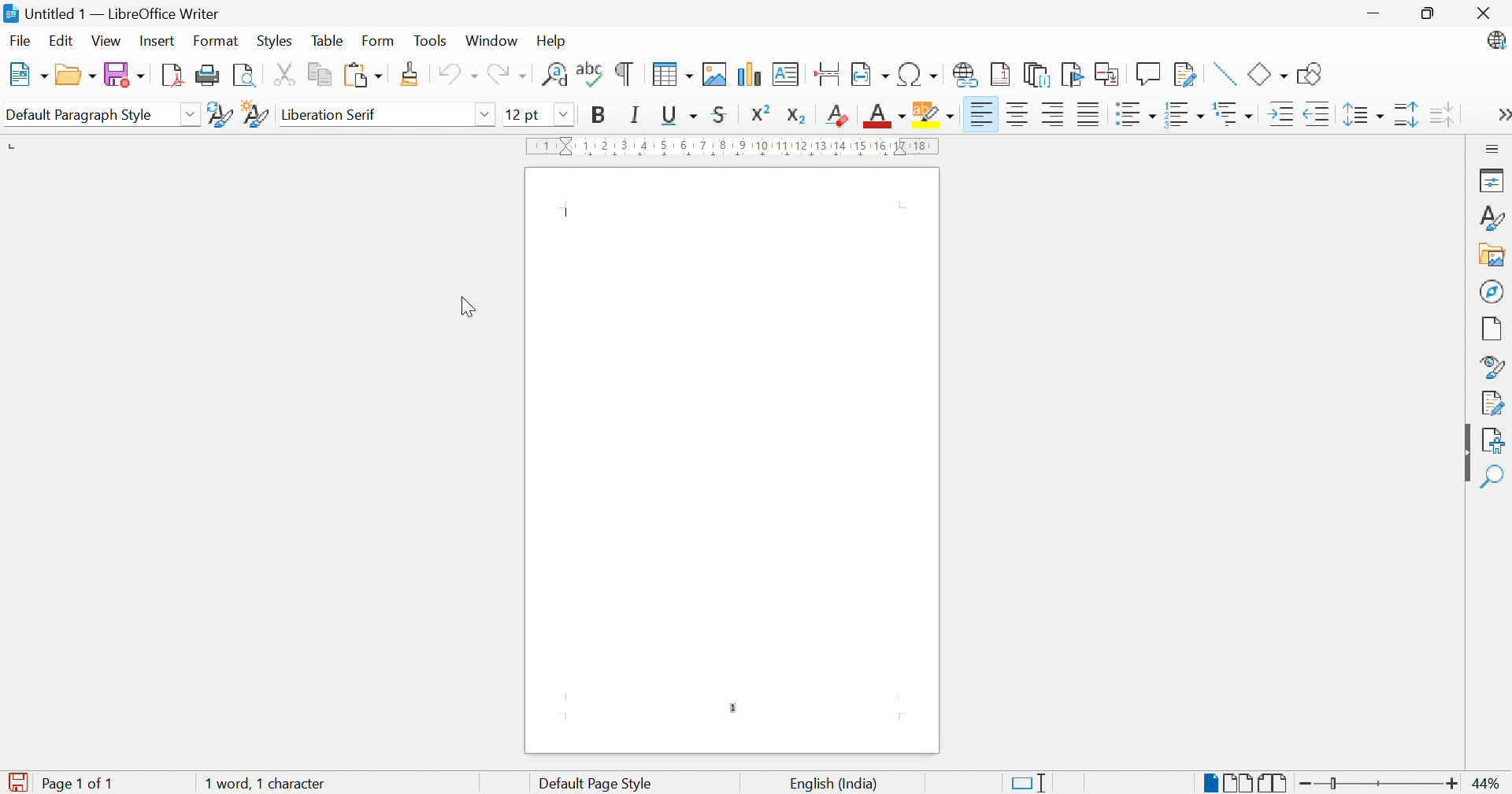  What do you see at coordinates (430, 41) in the screenshot?
I see `Tools` at bounding box center [430, 41].